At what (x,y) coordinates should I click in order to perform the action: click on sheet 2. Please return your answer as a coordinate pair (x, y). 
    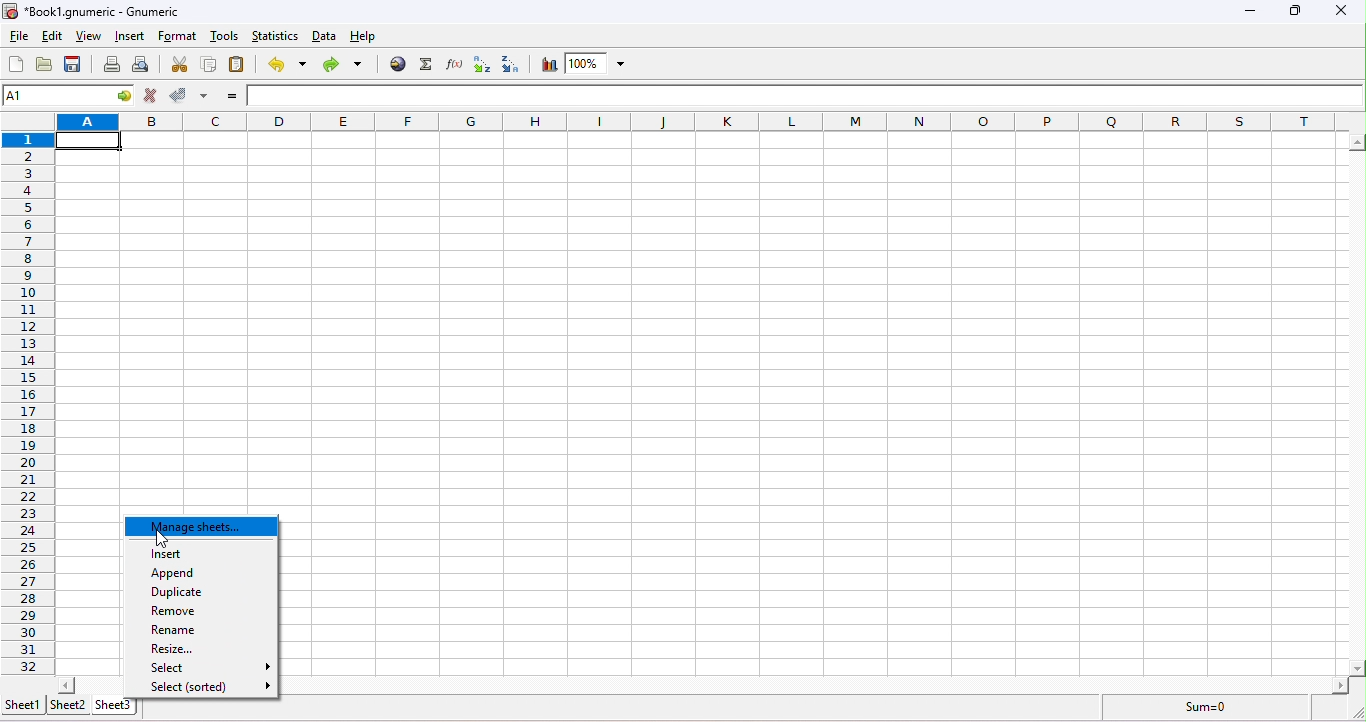
    Looking at the image, I should click on (72, 706).